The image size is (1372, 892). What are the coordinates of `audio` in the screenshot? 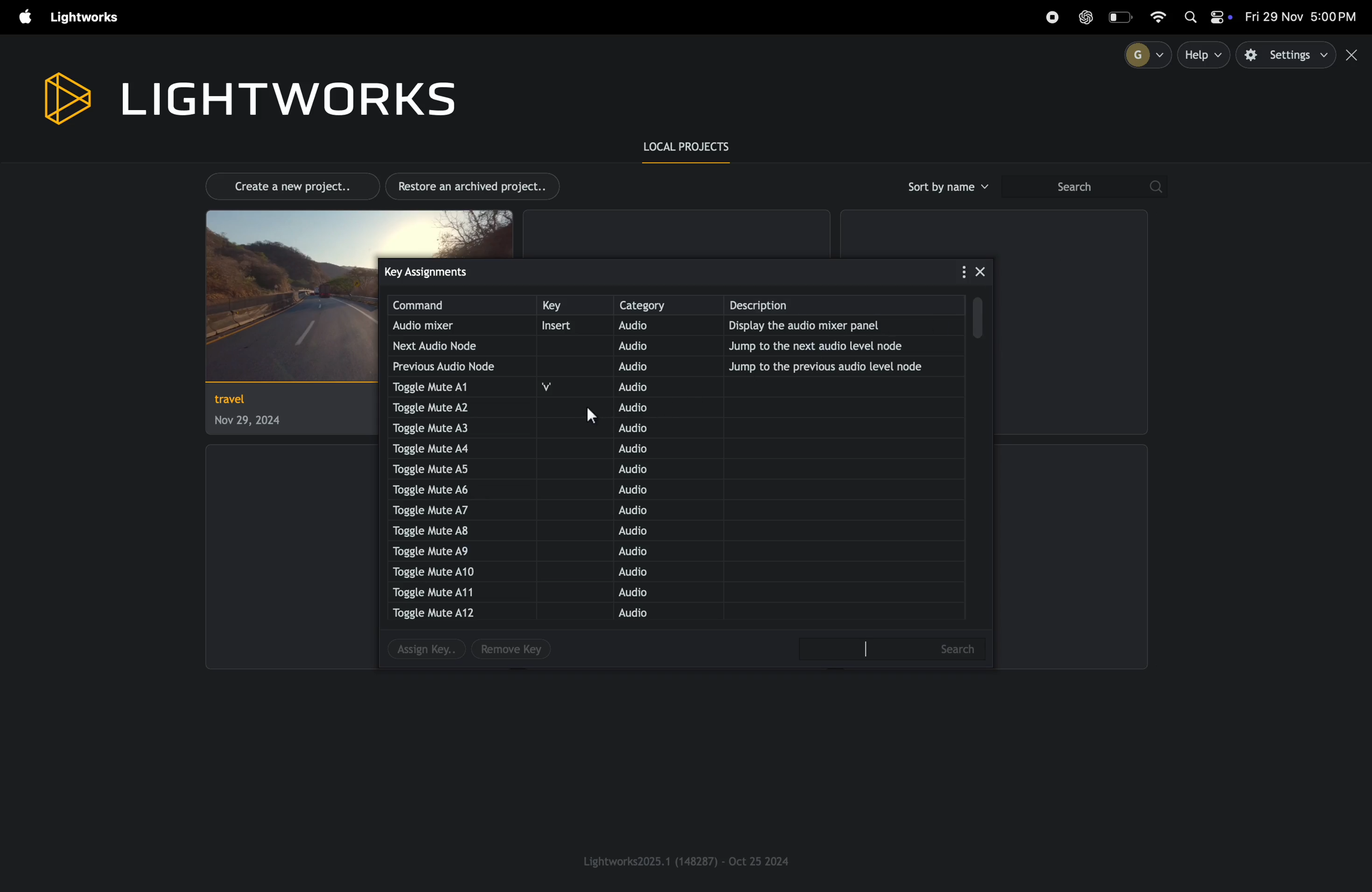 It's located at (658, 553).